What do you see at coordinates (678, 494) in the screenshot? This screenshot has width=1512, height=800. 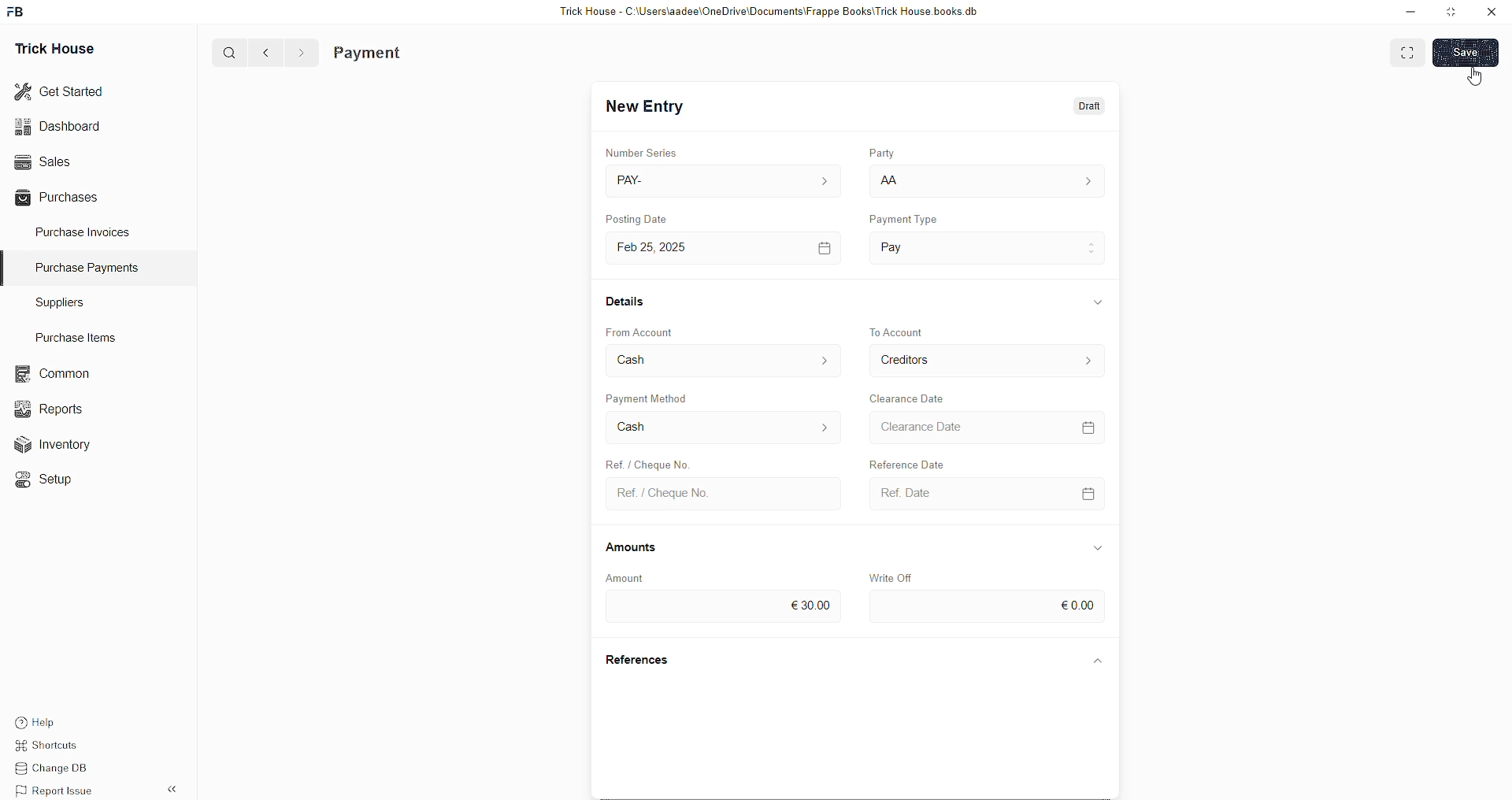 I see `Ref. / Cheque No.` at bounding box center [678, 494].